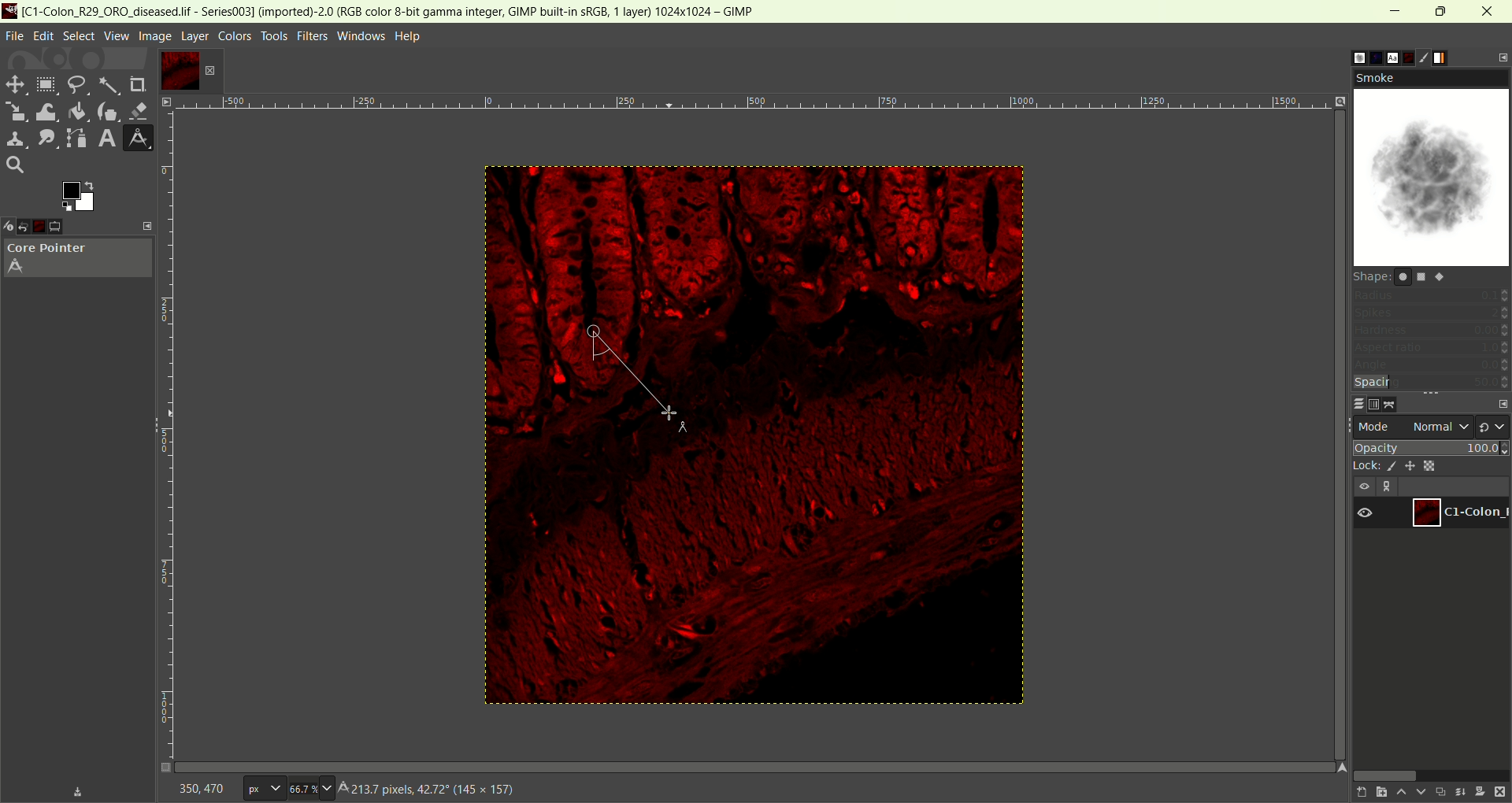 This screenshot has height=803, width=1512. Describe the element at coordinates (1346, 57) in the screenshot. I see `brush` at that location.